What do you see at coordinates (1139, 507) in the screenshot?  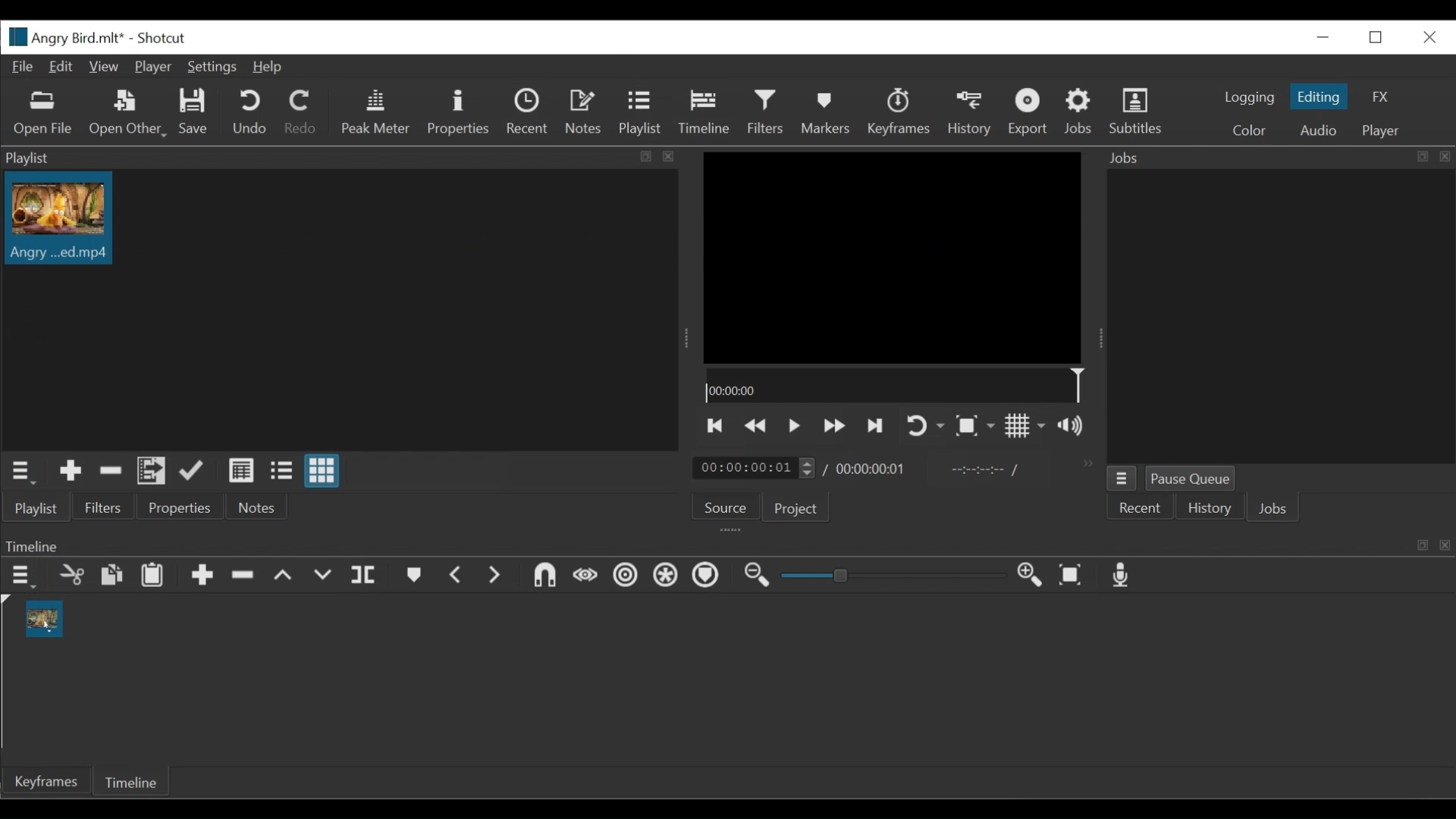 I see `Recent` at bounding box center [1139, 507].